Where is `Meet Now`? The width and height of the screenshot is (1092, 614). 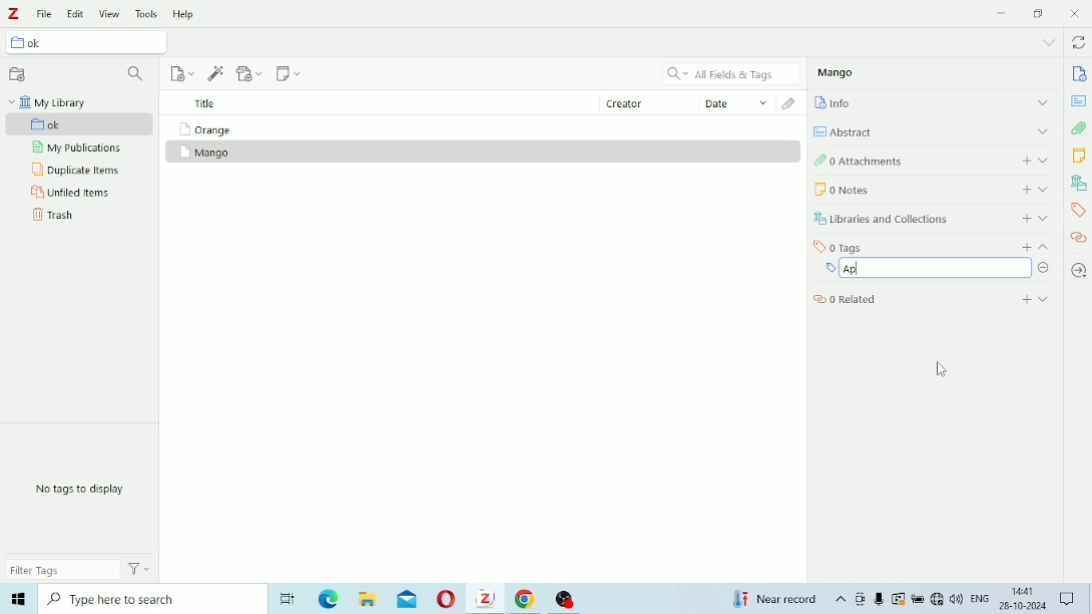 Meet Now is located at coordinates (861, 599).